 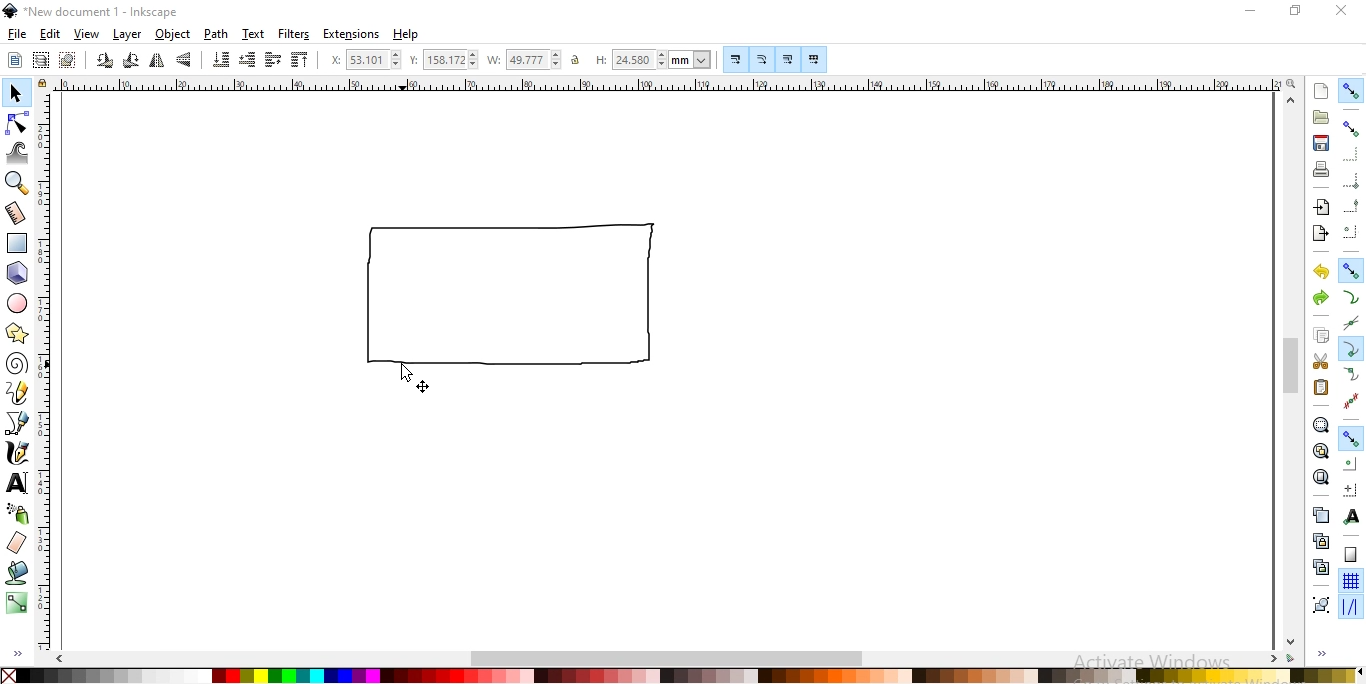 What do you see at coordinates (49, 34) in the screenshot?
I see `edit` at bounding box center [49, 34].